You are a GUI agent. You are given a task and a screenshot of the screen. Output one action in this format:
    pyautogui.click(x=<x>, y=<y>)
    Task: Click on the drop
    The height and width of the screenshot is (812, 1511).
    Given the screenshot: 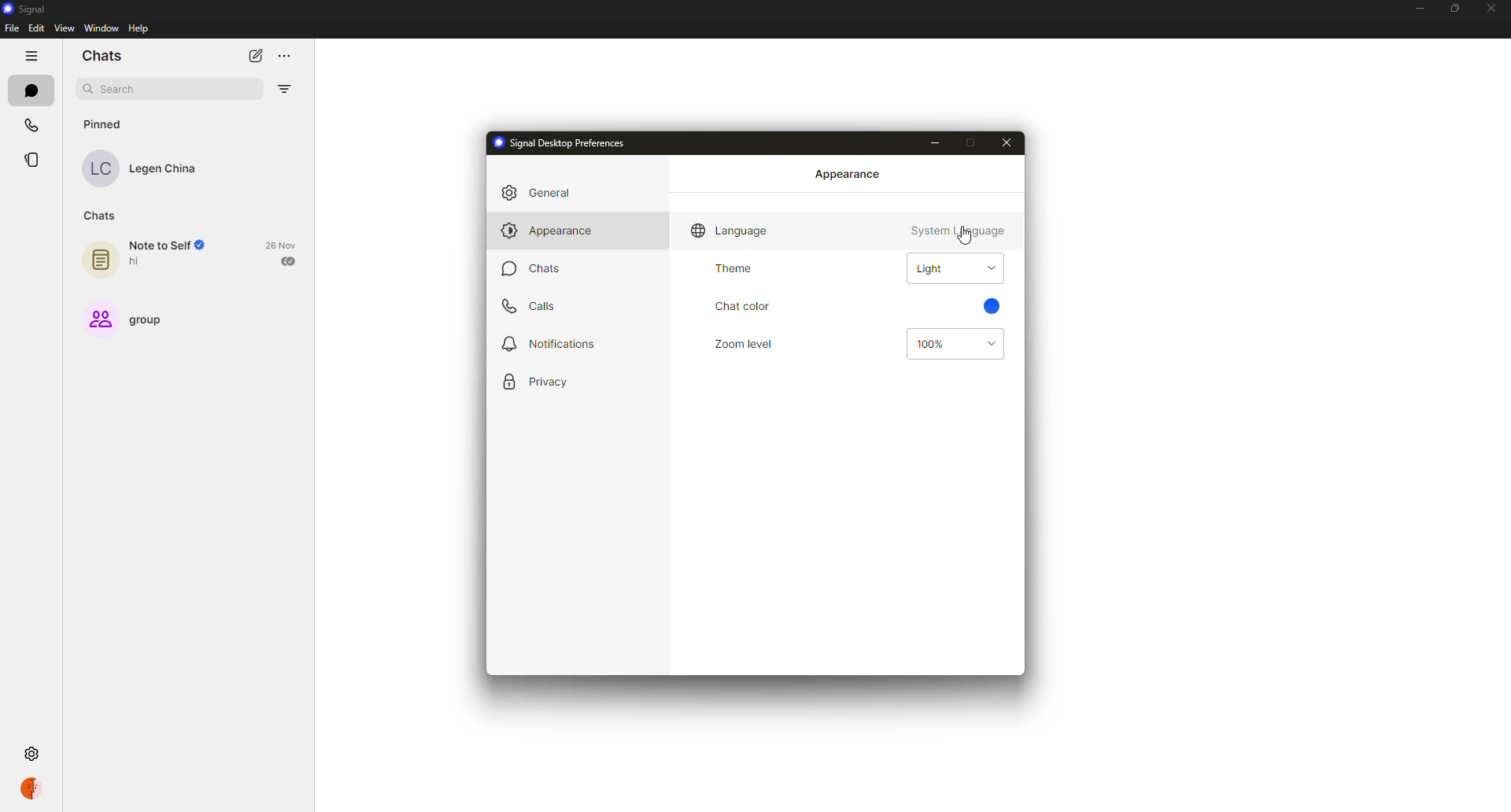 What is the action you would take?
    pyautogui.click(x=988, y=343)
    